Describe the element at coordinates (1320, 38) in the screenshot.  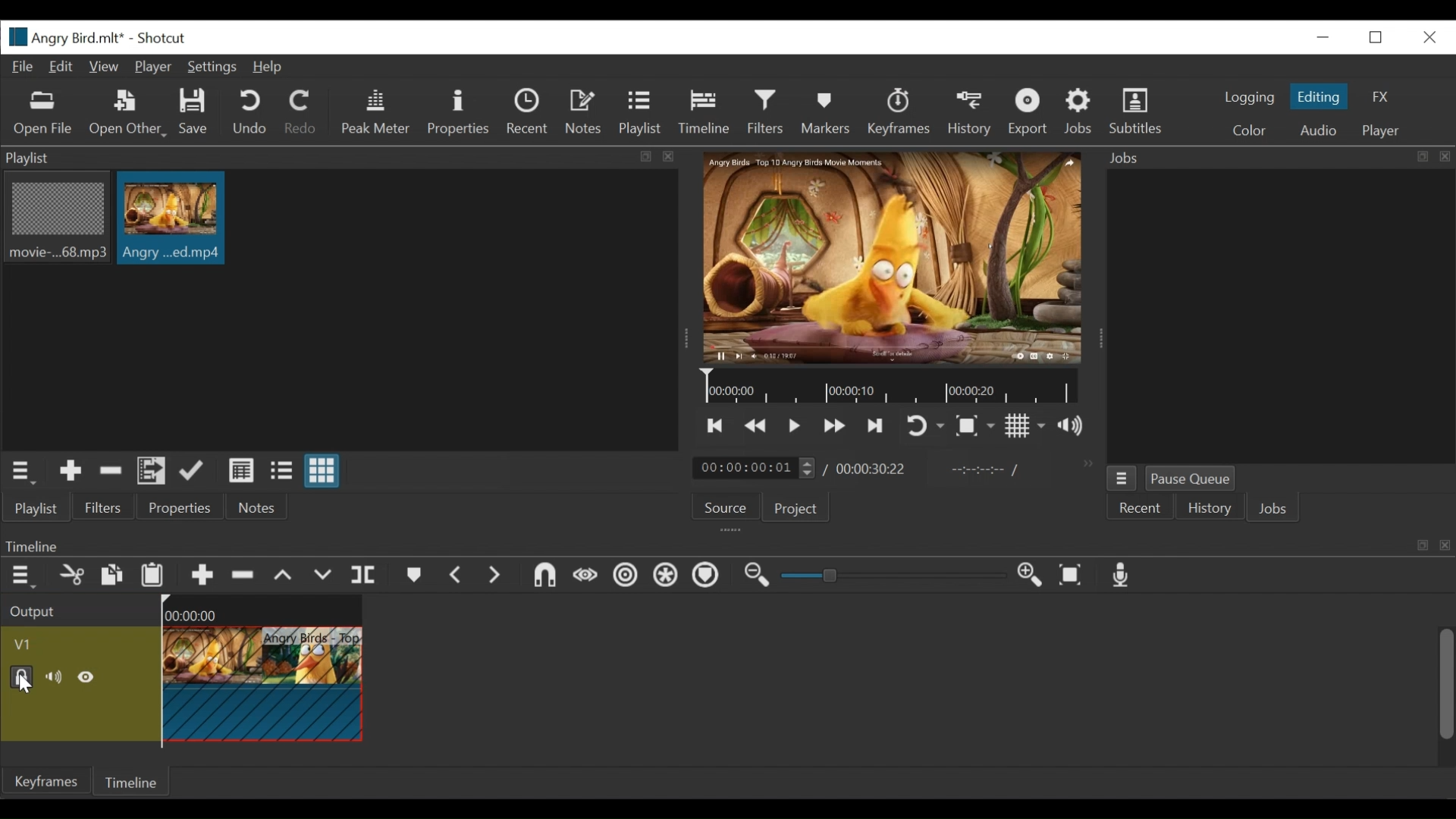
I see `minimize` at that location.